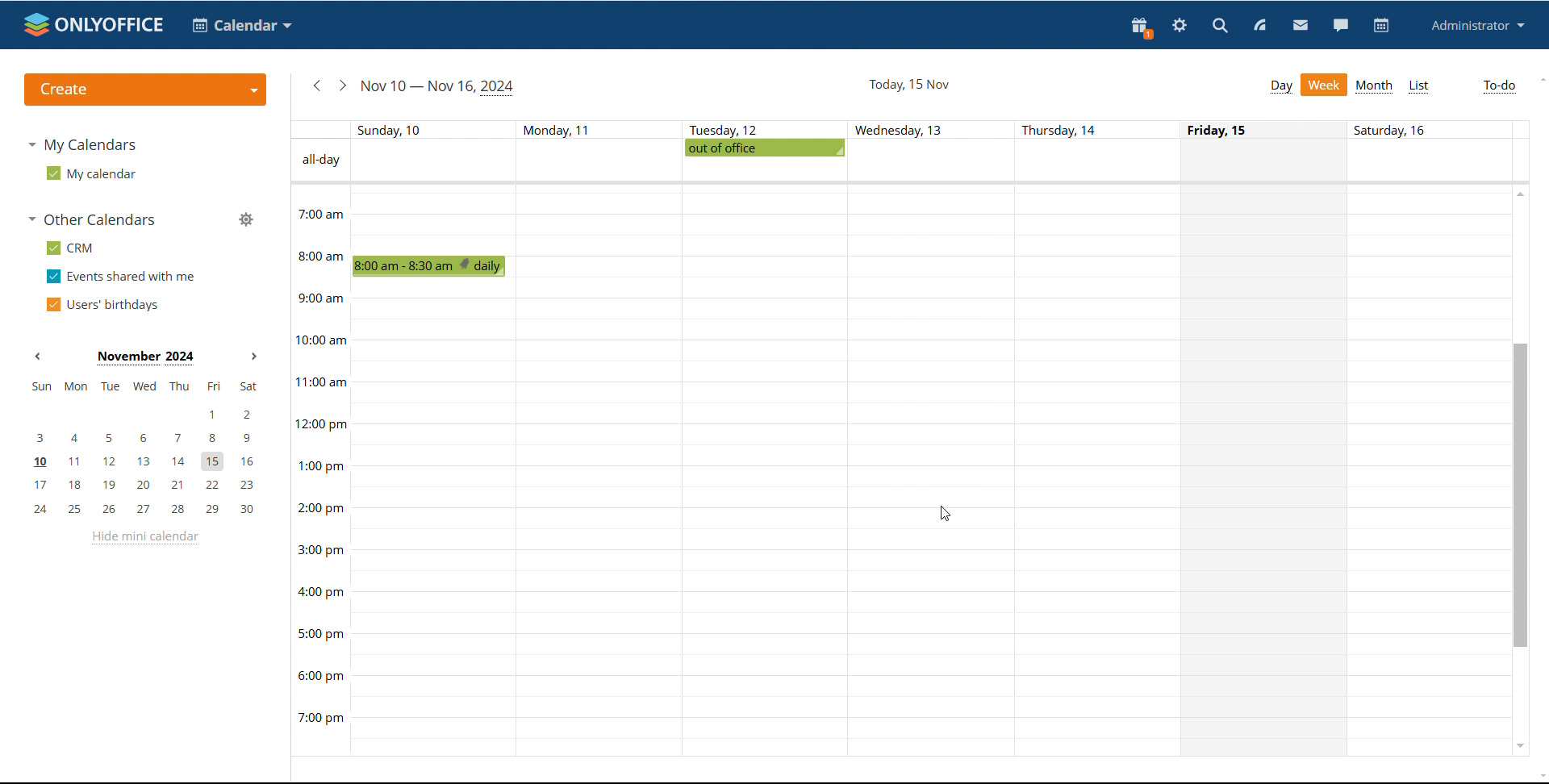 The width and height of the screenshot is (1549, 784). What do you see at coordinates (1420, 86) in the screenshot?
I see `list view` at bounding box center [1420, 86].